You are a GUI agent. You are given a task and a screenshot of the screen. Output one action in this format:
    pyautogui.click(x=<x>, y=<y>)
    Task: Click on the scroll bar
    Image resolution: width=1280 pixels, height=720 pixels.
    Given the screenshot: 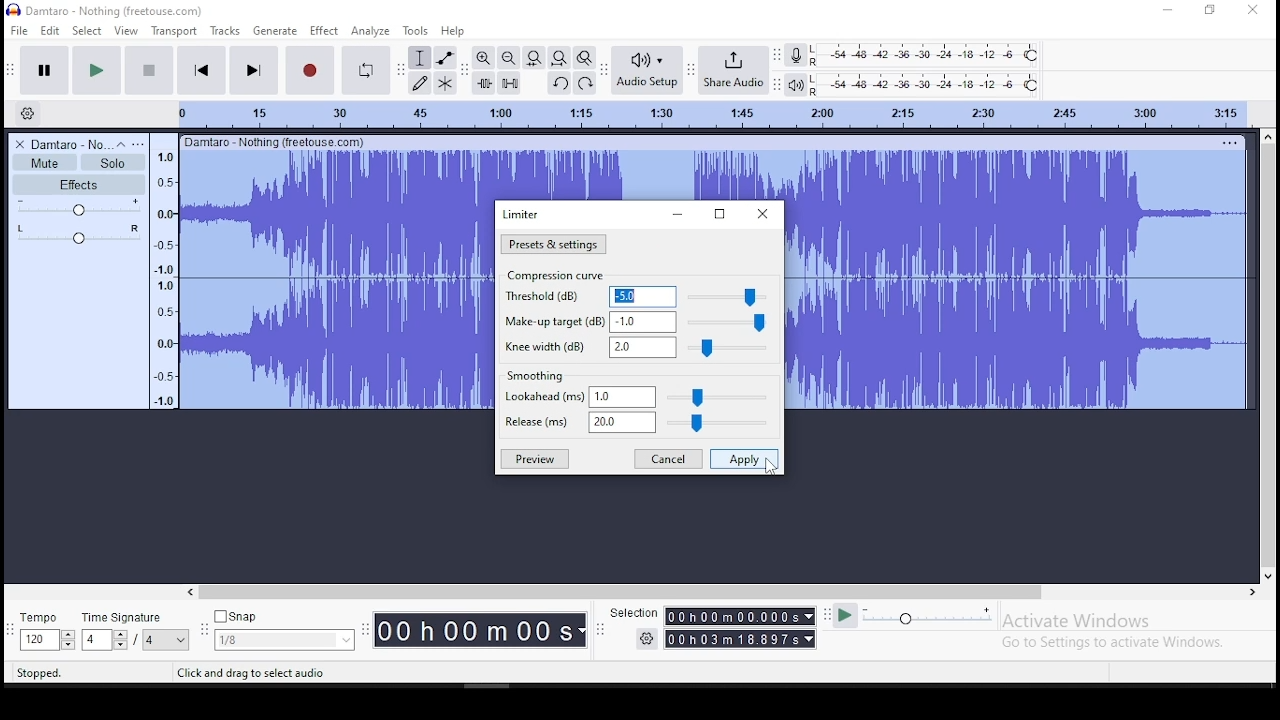 What is the action you would take?
    pyautogui.click(x=1268, y=356)
    